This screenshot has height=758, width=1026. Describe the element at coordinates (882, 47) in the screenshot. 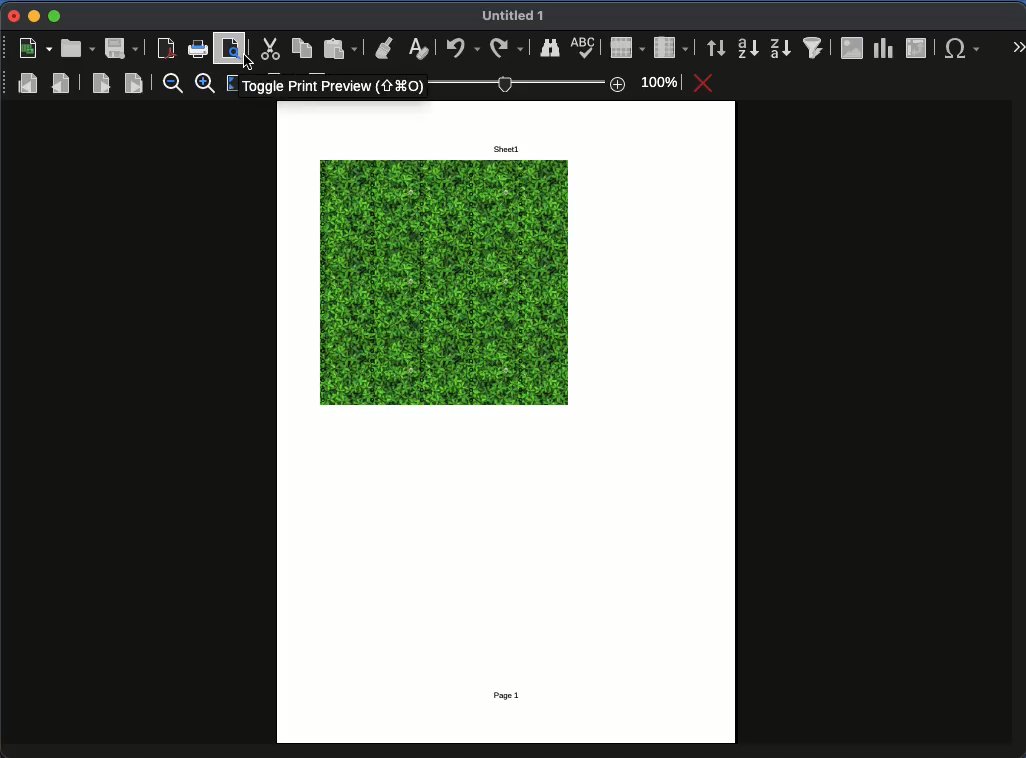

I see `chart` at that location.